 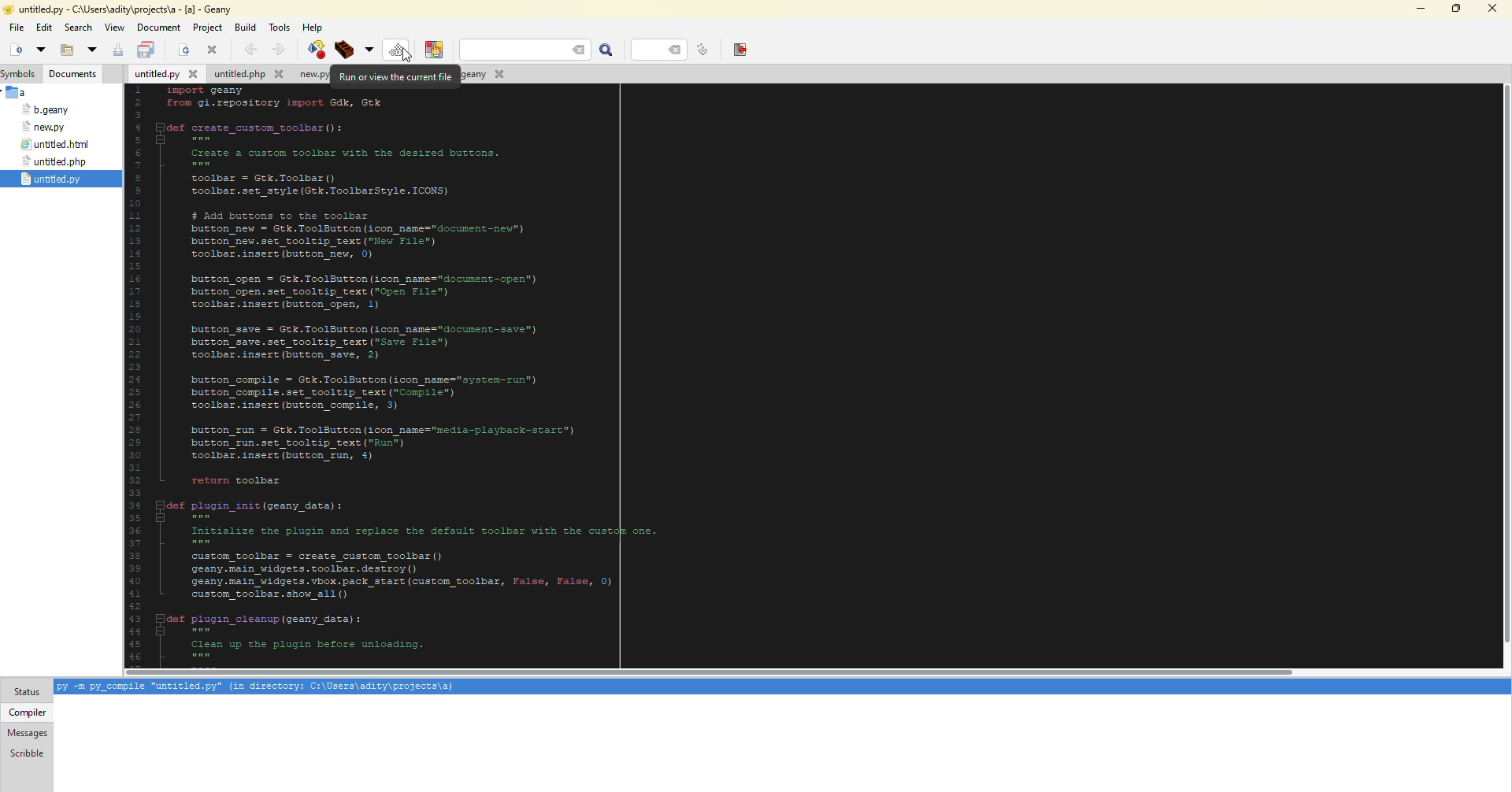 What do you see at coordinates (1493, 7) in the screenshot?
I see `close` at bounding box center [1493, 7].